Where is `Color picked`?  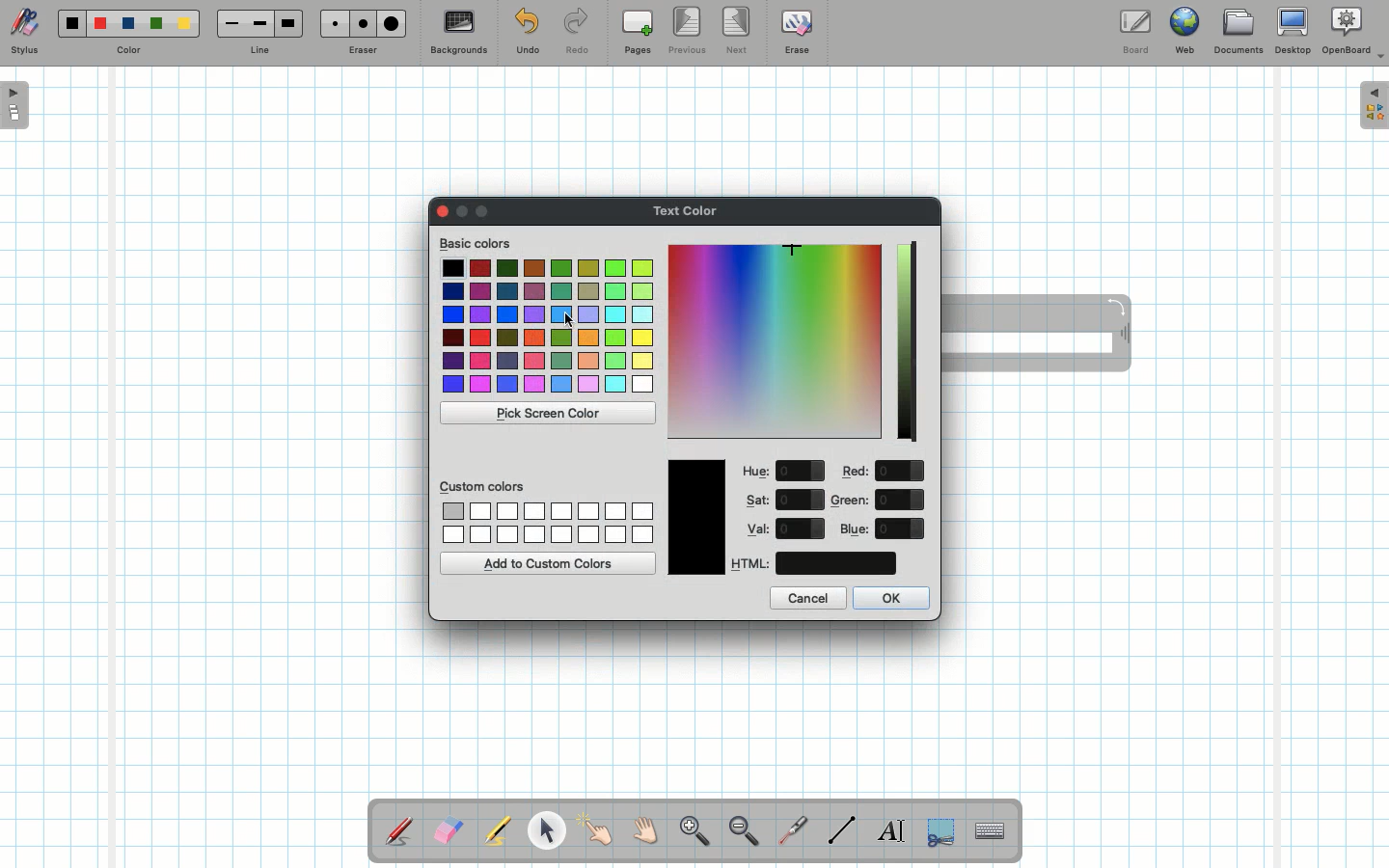 Color picked is located at coordinates (695, 517).